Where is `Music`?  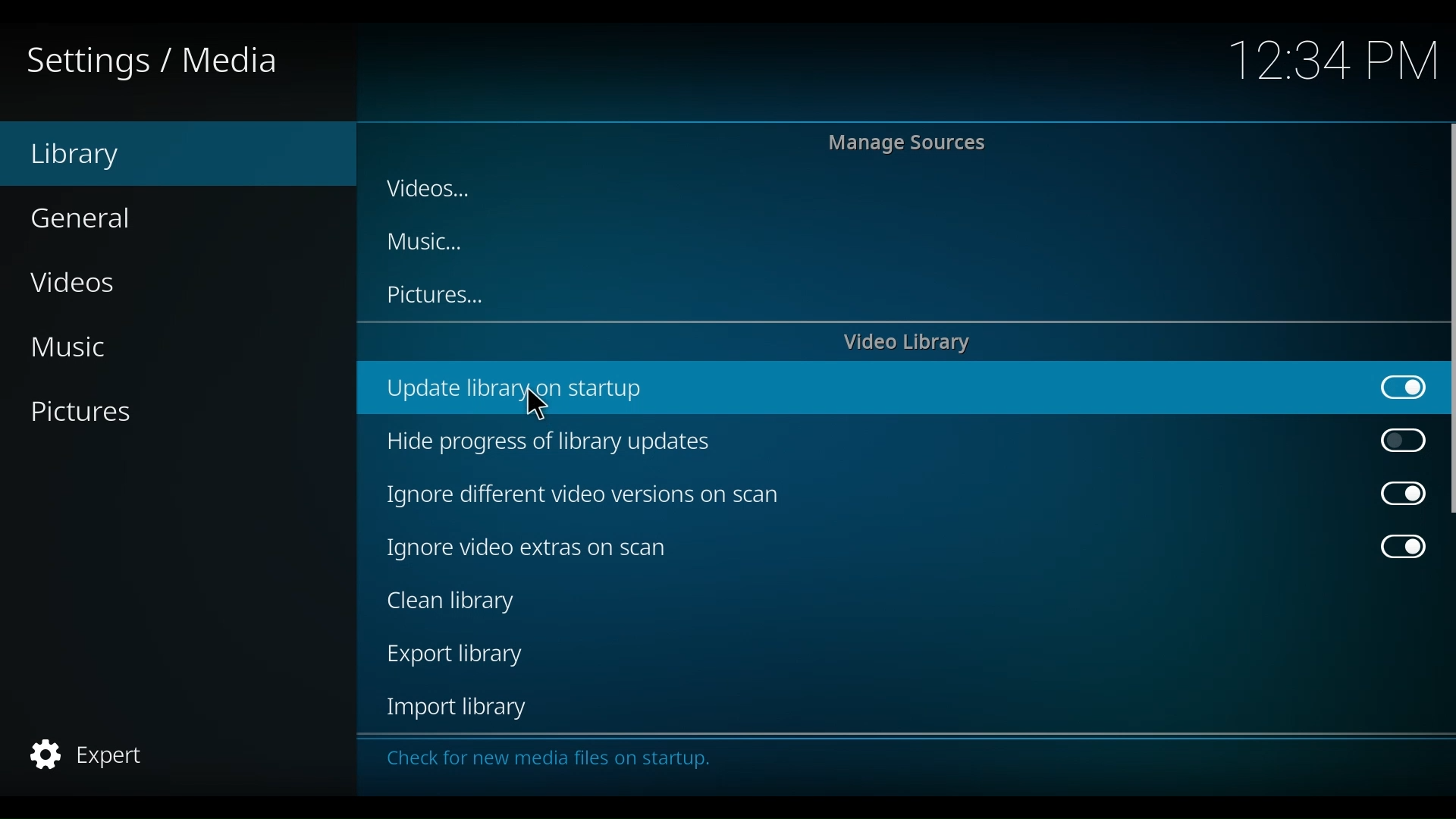
Music is located at coordinates (77, 347).